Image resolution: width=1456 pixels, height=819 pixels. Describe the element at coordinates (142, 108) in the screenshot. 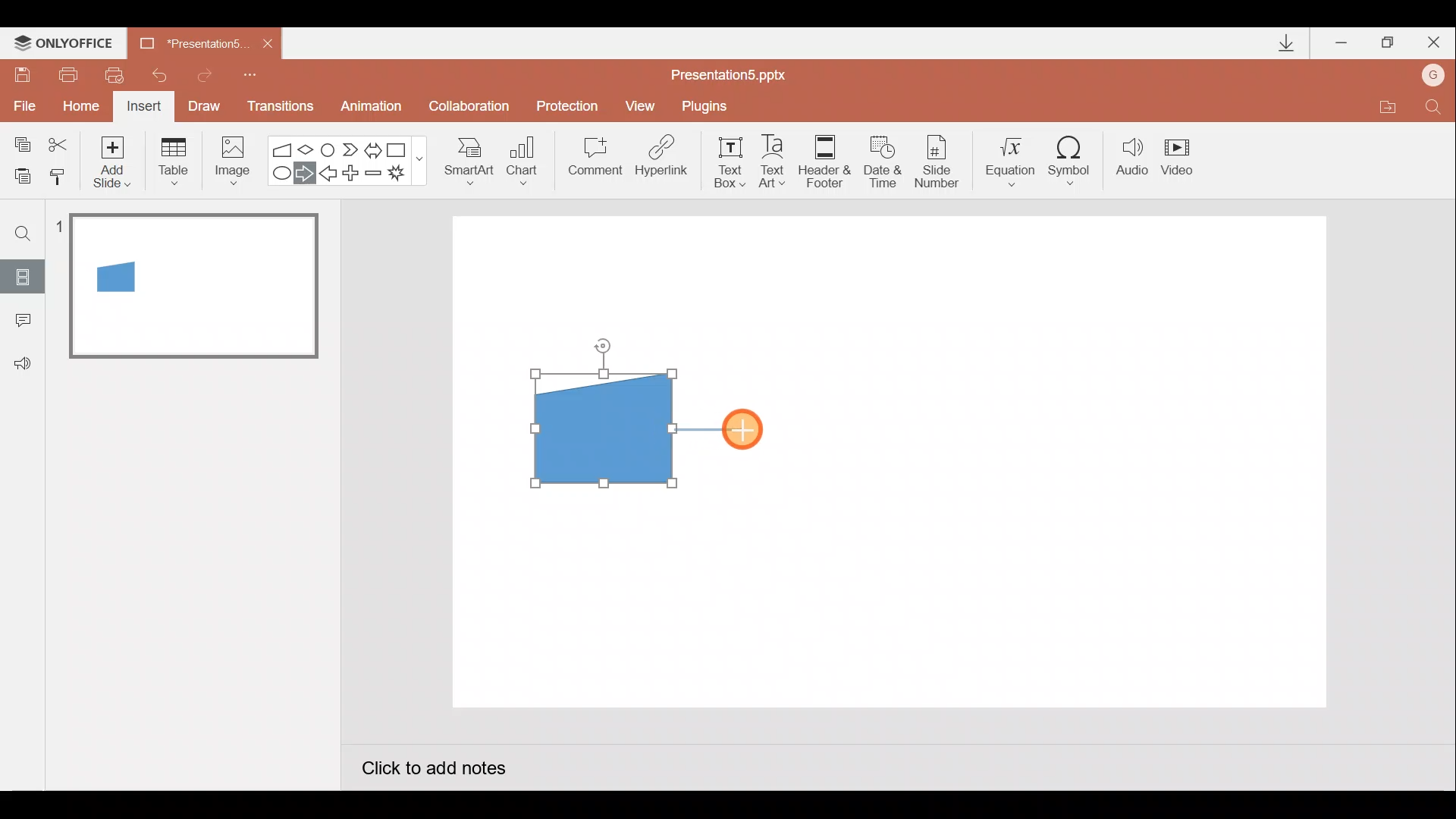

I see `Insert` at that location.